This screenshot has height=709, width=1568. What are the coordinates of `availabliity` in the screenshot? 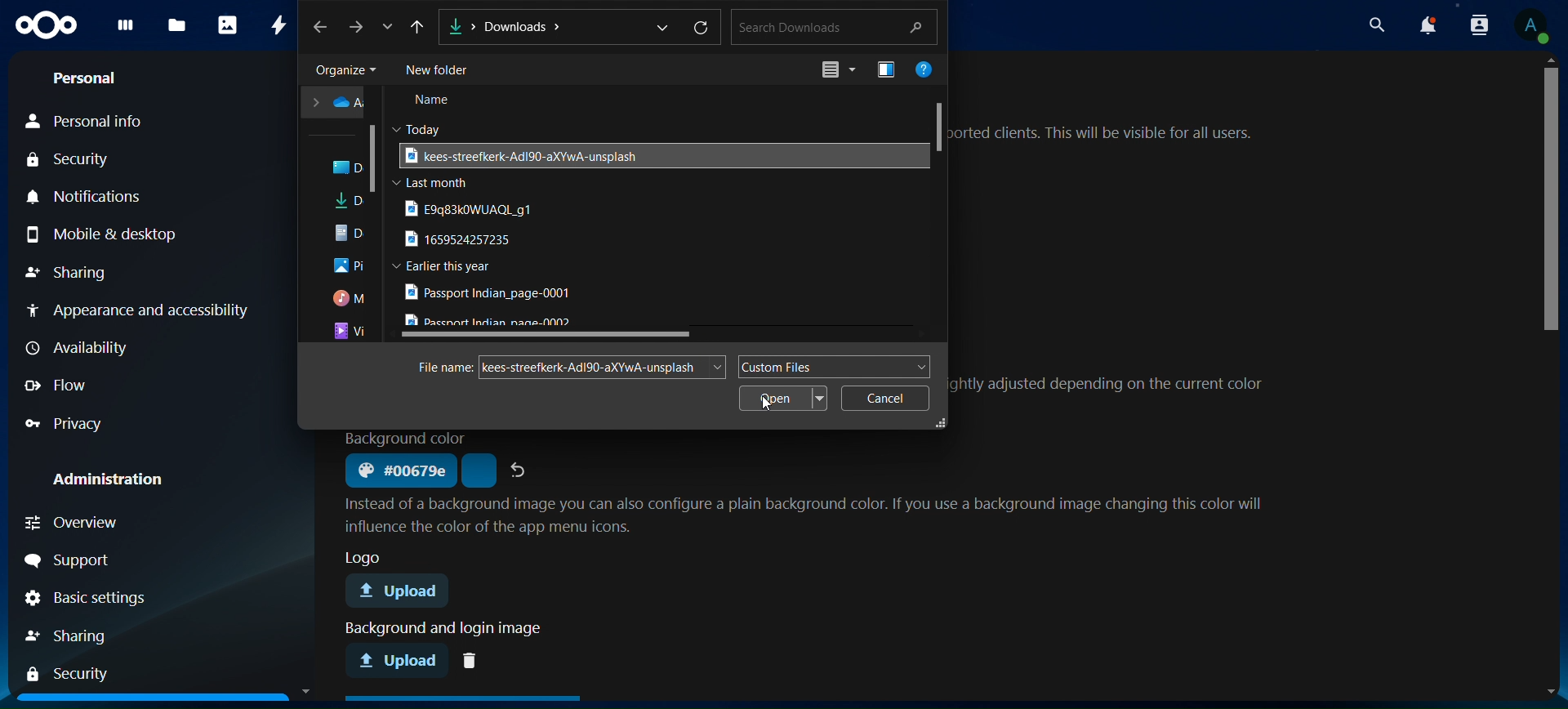 It's located at (125, 350).